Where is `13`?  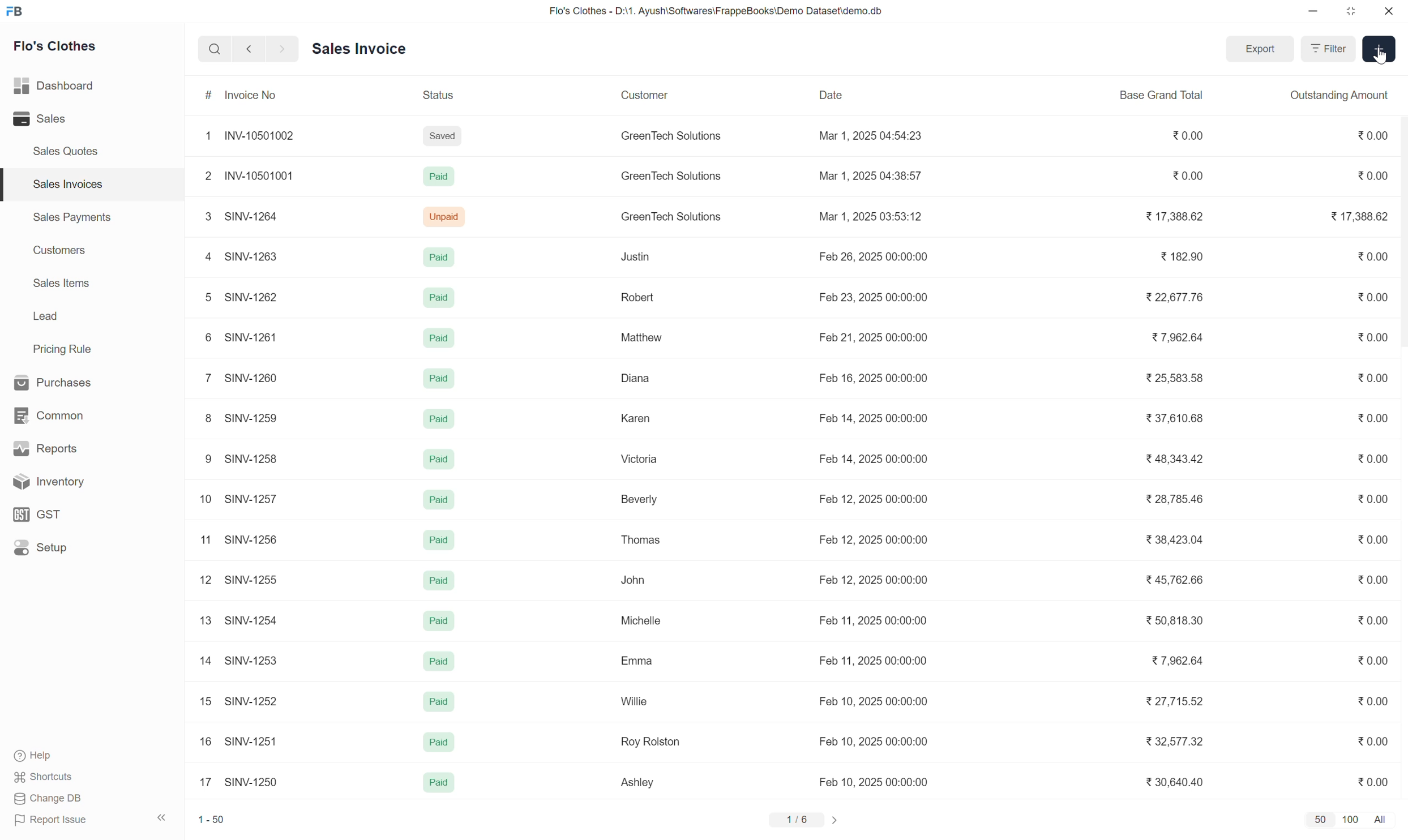 13 is located at coordinates (204, 622).